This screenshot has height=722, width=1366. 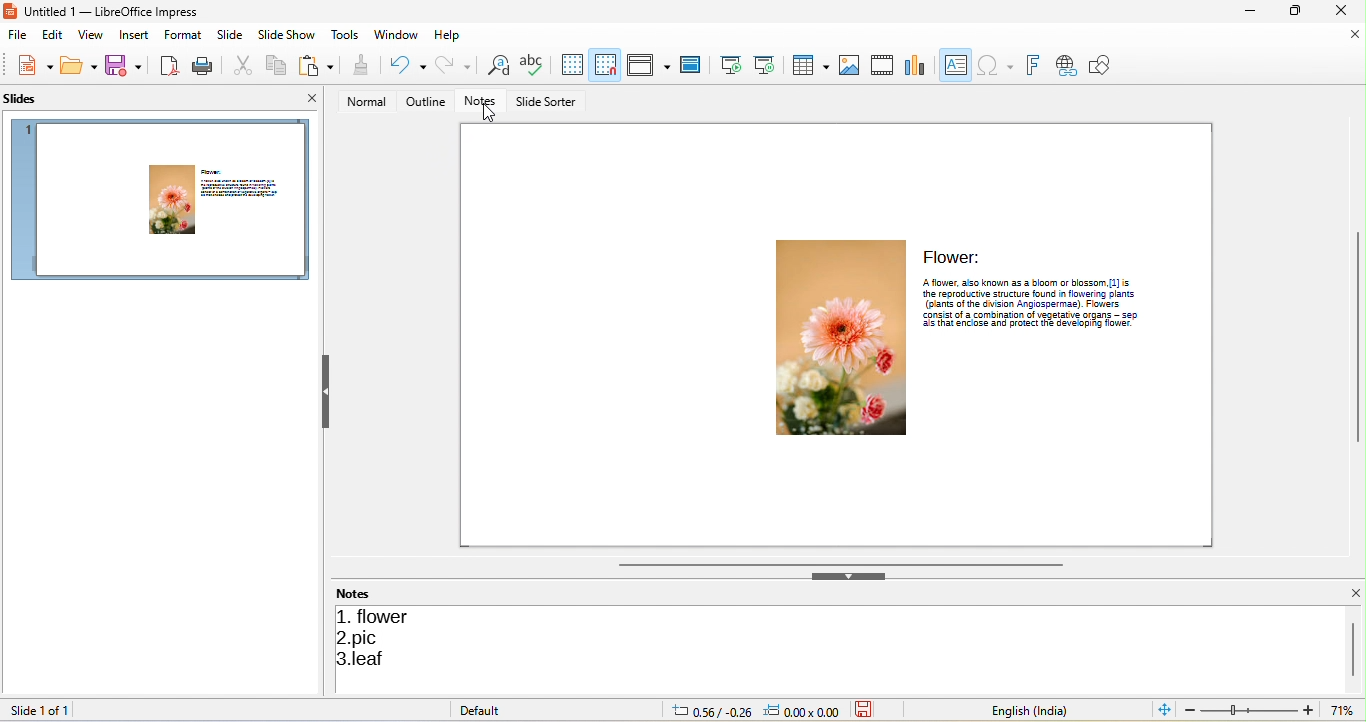 I want to click on cursor movement, so click(x=491, y=116).